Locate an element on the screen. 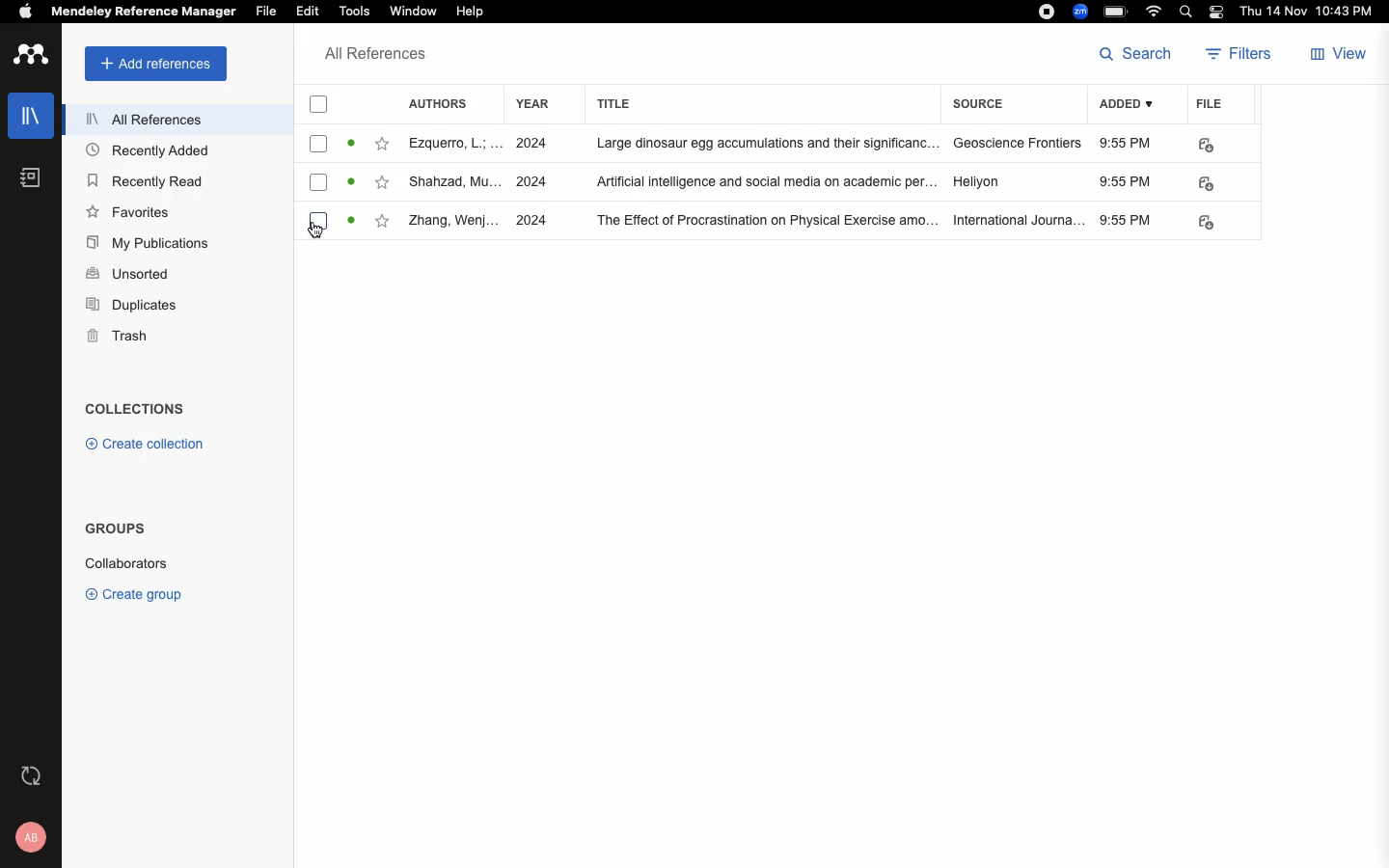 The width and height of the screenshot is (1389, 868). artificial intelligence and social media on academic is located at coordinates (766, 179).